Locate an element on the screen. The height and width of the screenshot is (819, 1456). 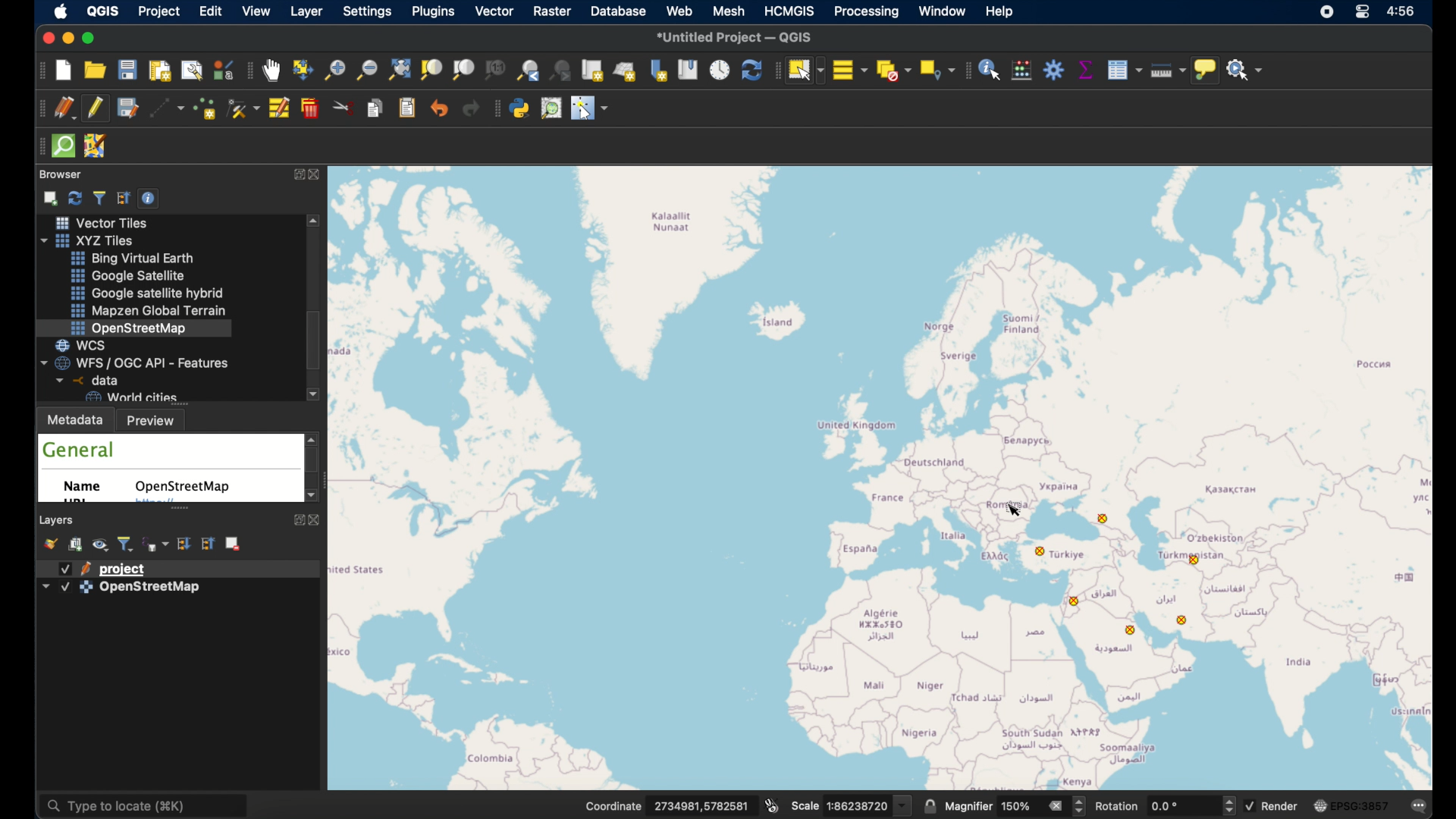
help is located at coordinates (999, 11).